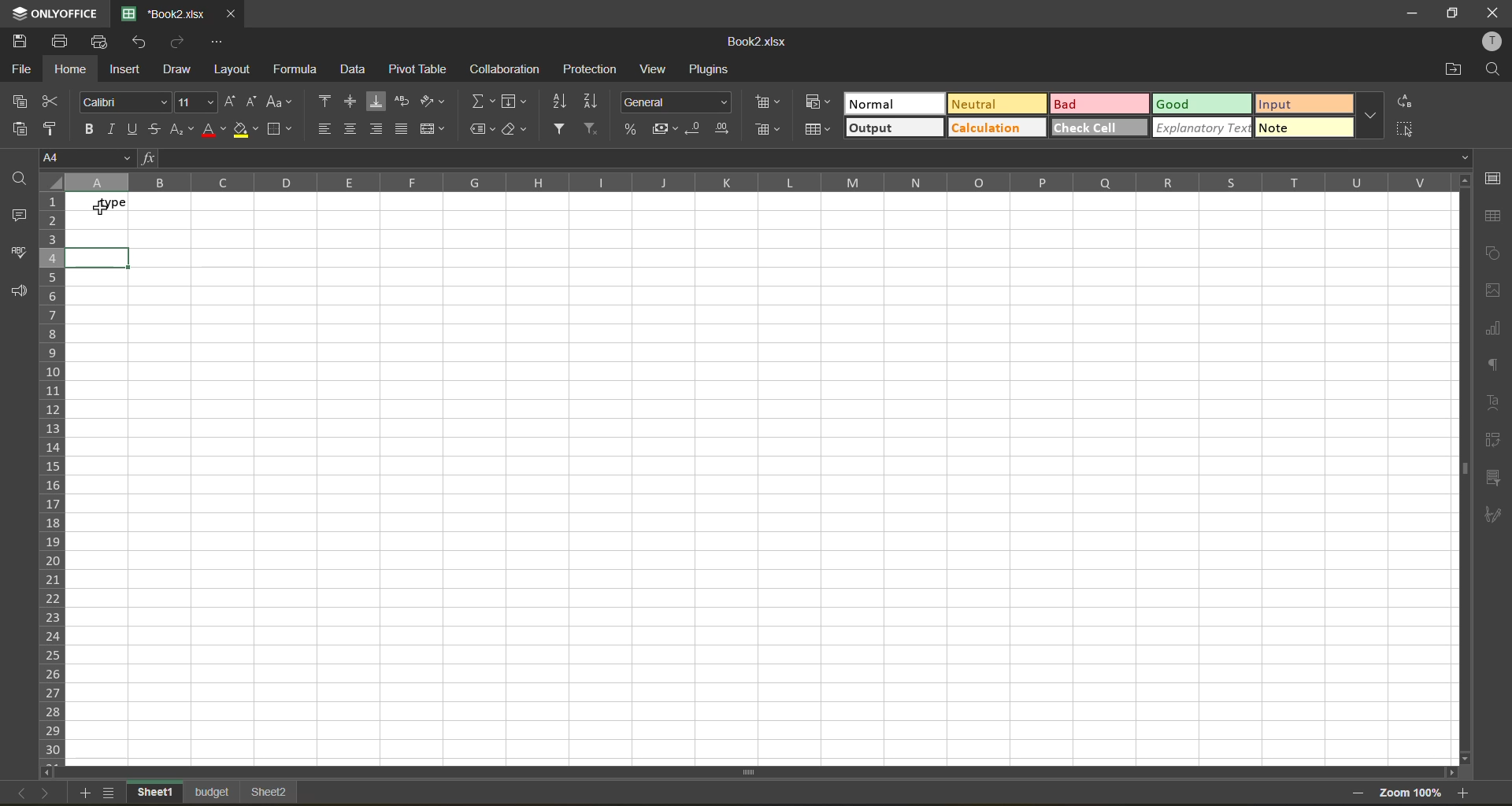 This screenshot has width=1512, height=806. Describe the element at coordinates (1493, 179) in the screenshot. I see `cell settings` at that location.